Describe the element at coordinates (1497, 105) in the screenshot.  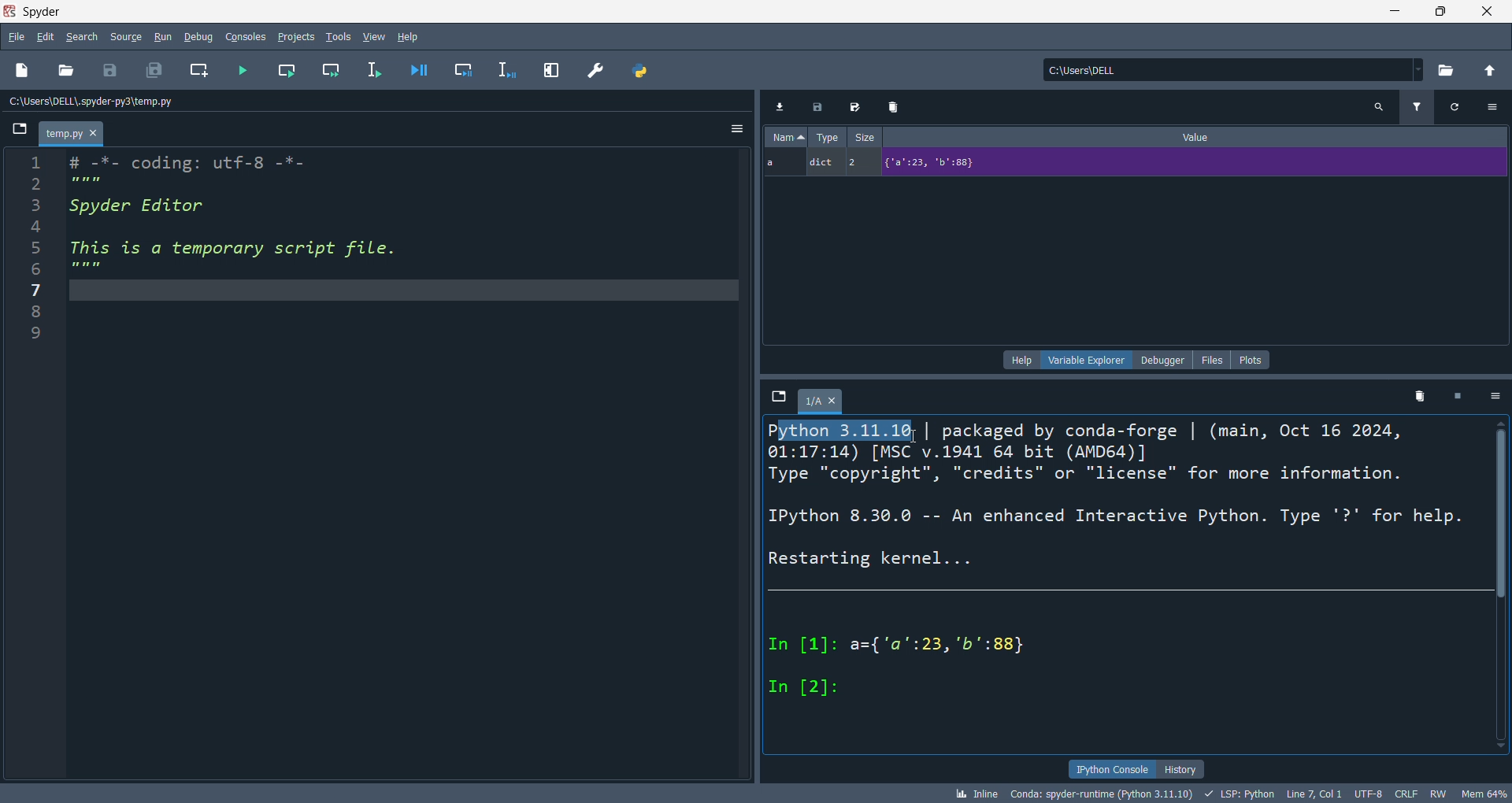
I see `options` at that location.